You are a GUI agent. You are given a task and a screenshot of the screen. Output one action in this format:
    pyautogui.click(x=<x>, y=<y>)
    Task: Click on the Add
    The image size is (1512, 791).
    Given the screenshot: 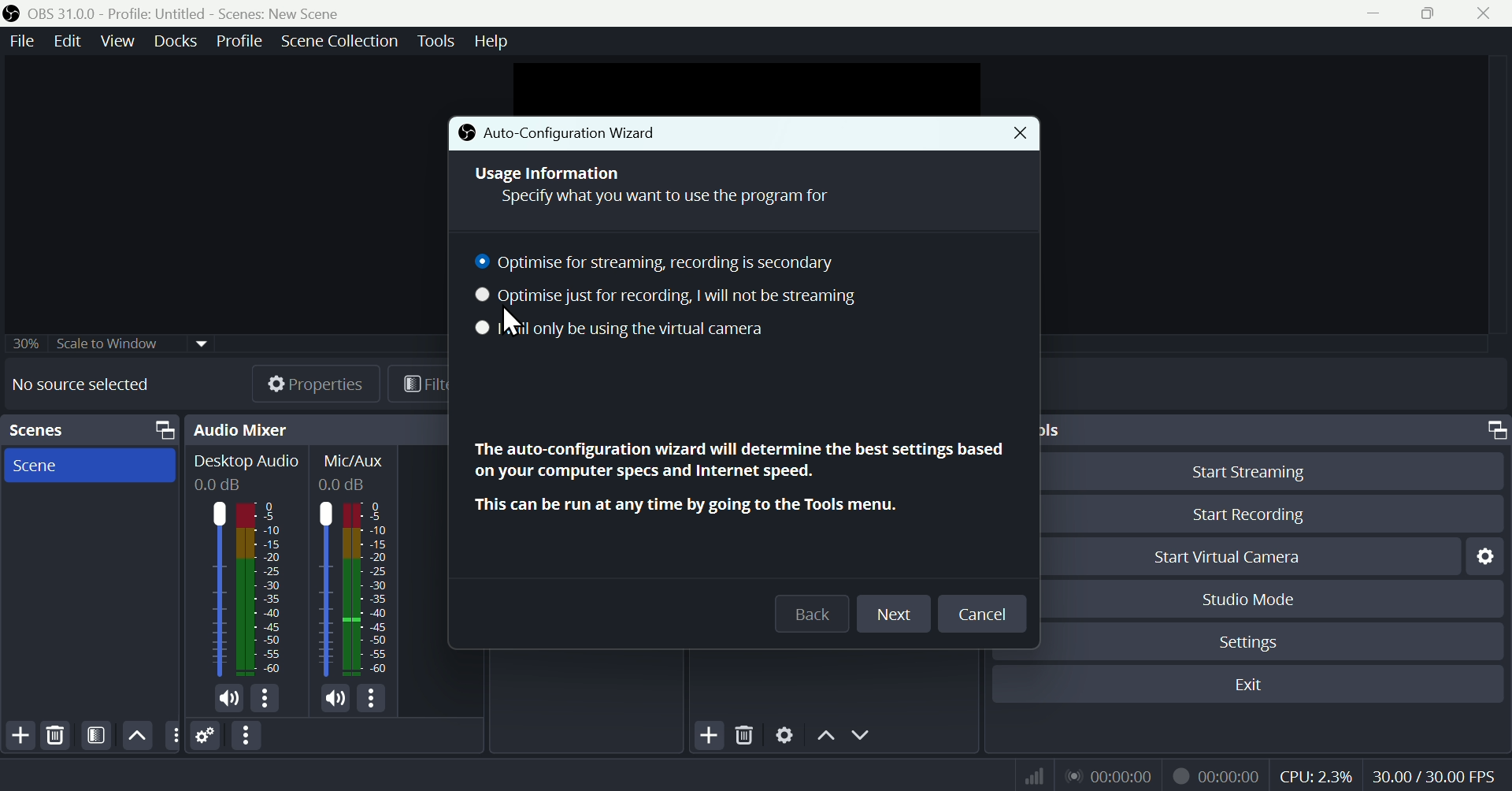 What is the action you would take?
    pyautogui.click(x=19, y=736)
    